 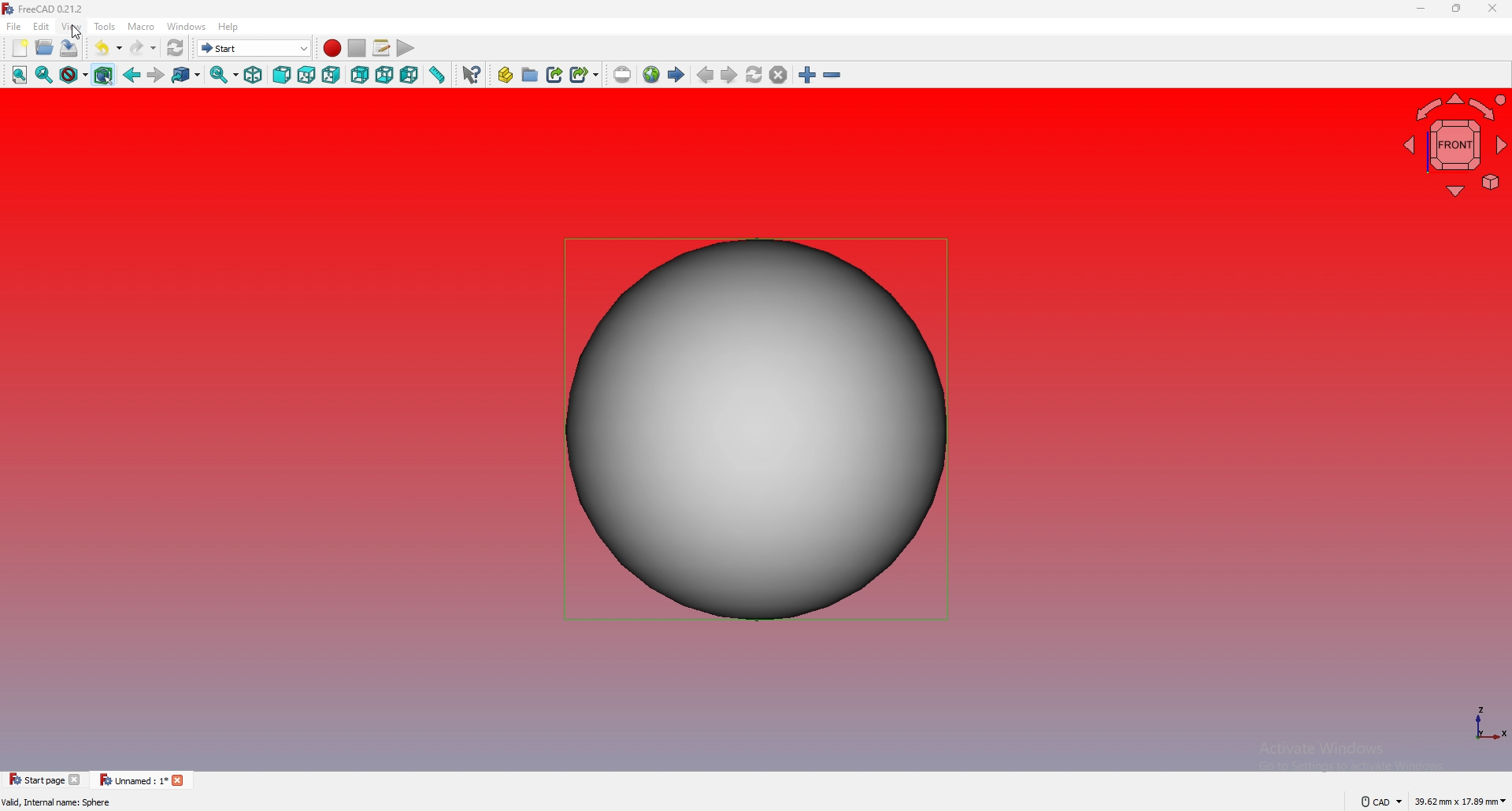 I want to click on sphere, so click(x=758, y=428).